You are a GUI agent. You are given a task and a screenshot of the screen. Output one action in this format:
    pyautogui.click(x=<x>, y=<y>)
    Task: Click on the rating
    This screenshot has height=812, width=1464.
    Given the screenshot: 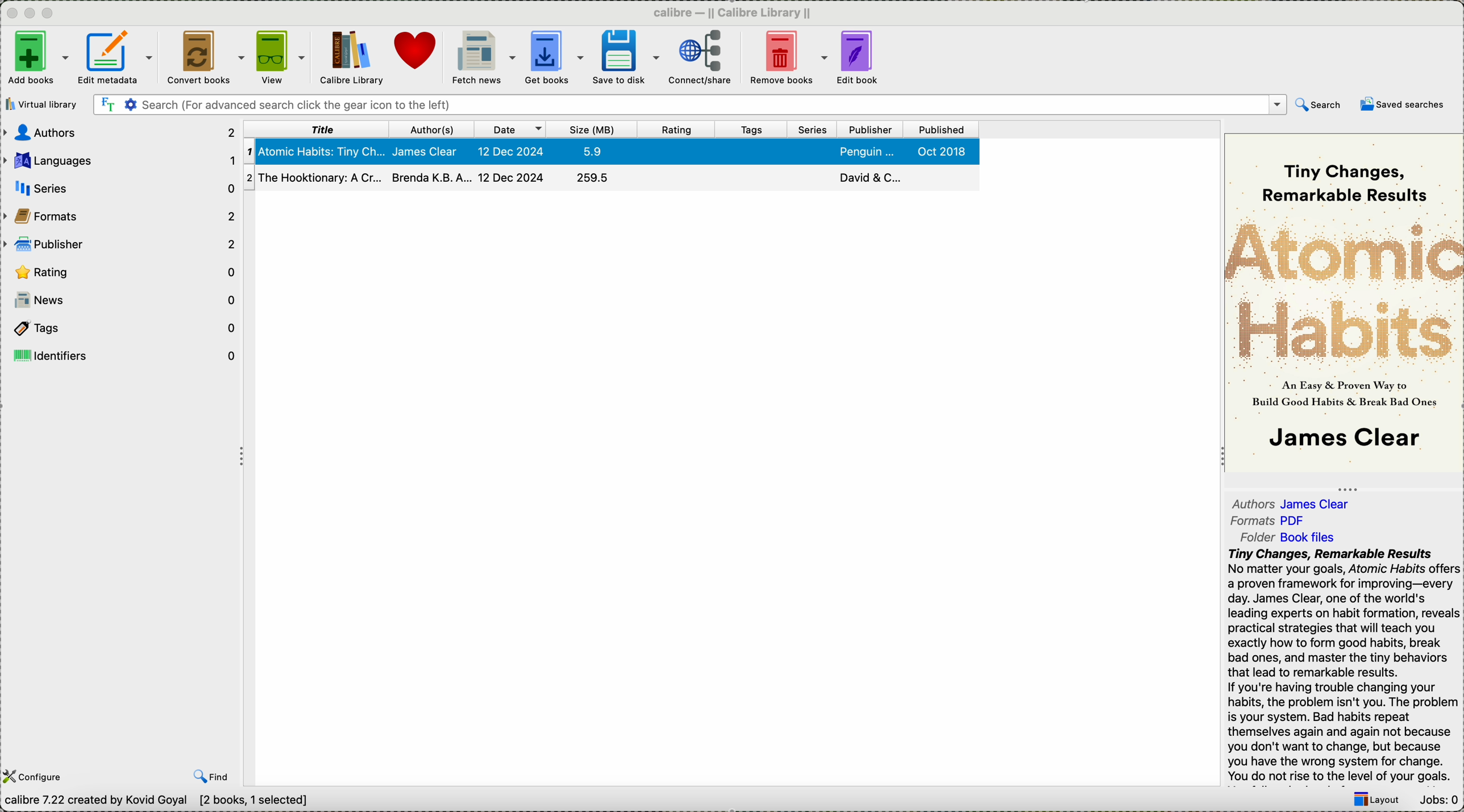 What is the action you would take?
    pyautogui.click(x=118, y=270)
    